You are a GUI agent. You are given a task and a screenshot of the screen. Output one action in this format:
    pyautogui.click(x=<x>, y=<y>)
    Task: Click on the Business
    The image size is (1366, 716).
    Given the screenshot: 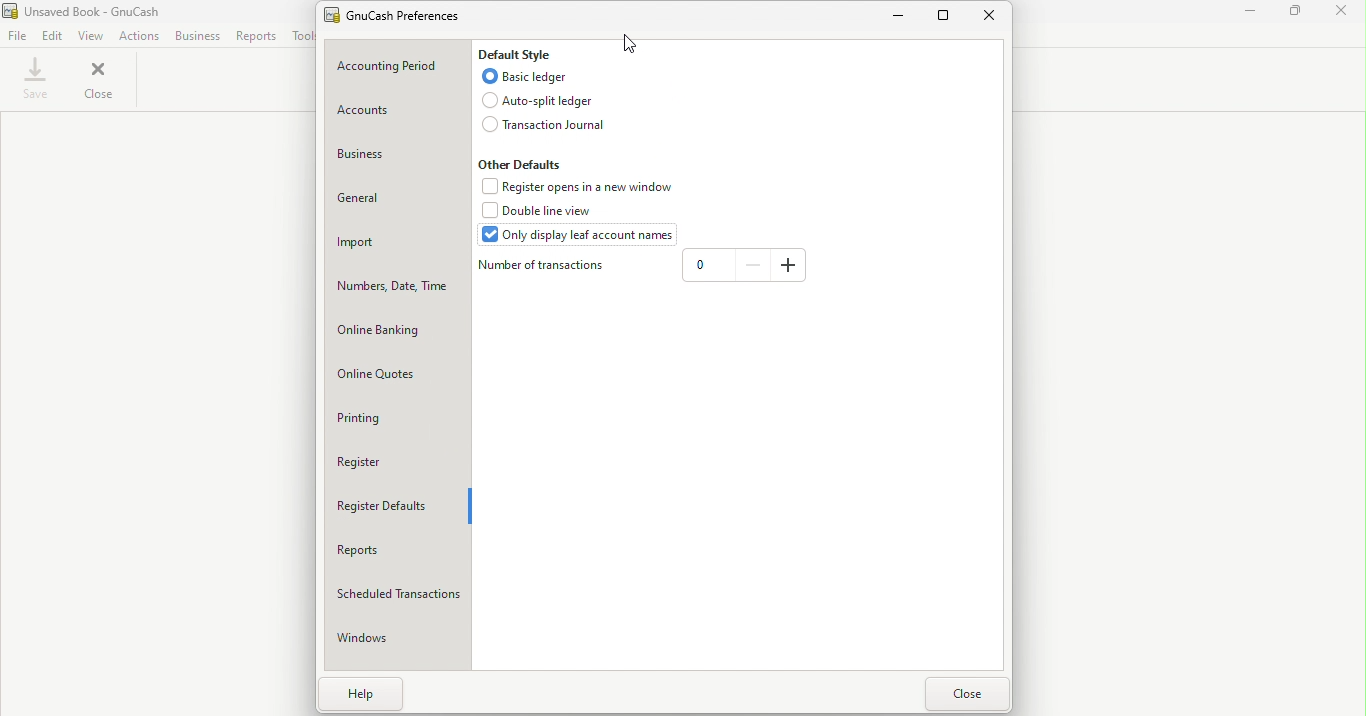 What is the action you would take?
    pyautogui.click(x=197, y=36)
    